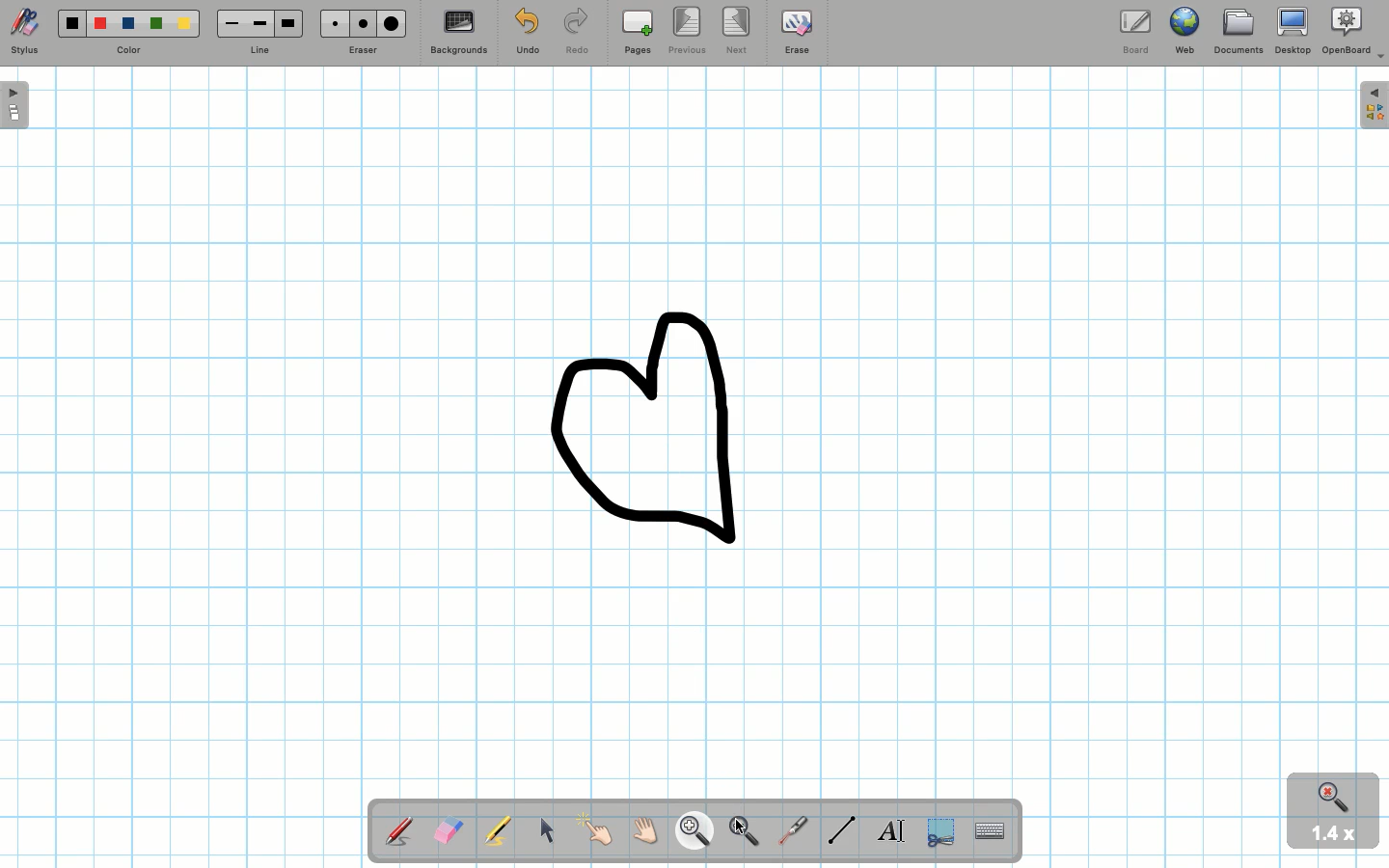 The width and height of the screenshot is (1389, 868). What do you see at coordinates (691, 829) in the screenshot?
I see `Zoom in` at bounding box center [691, 829].